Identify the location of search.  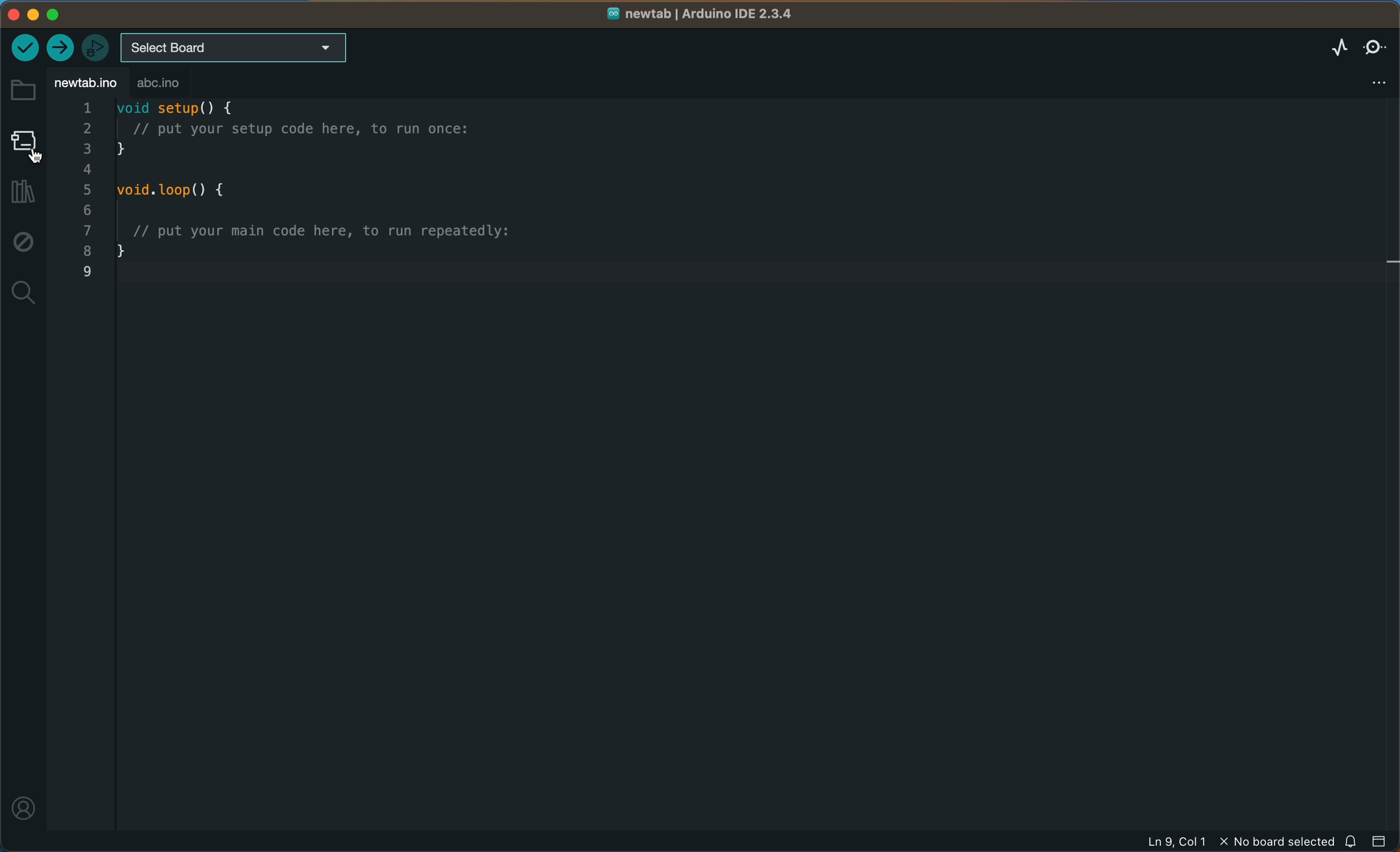
(26, 291).